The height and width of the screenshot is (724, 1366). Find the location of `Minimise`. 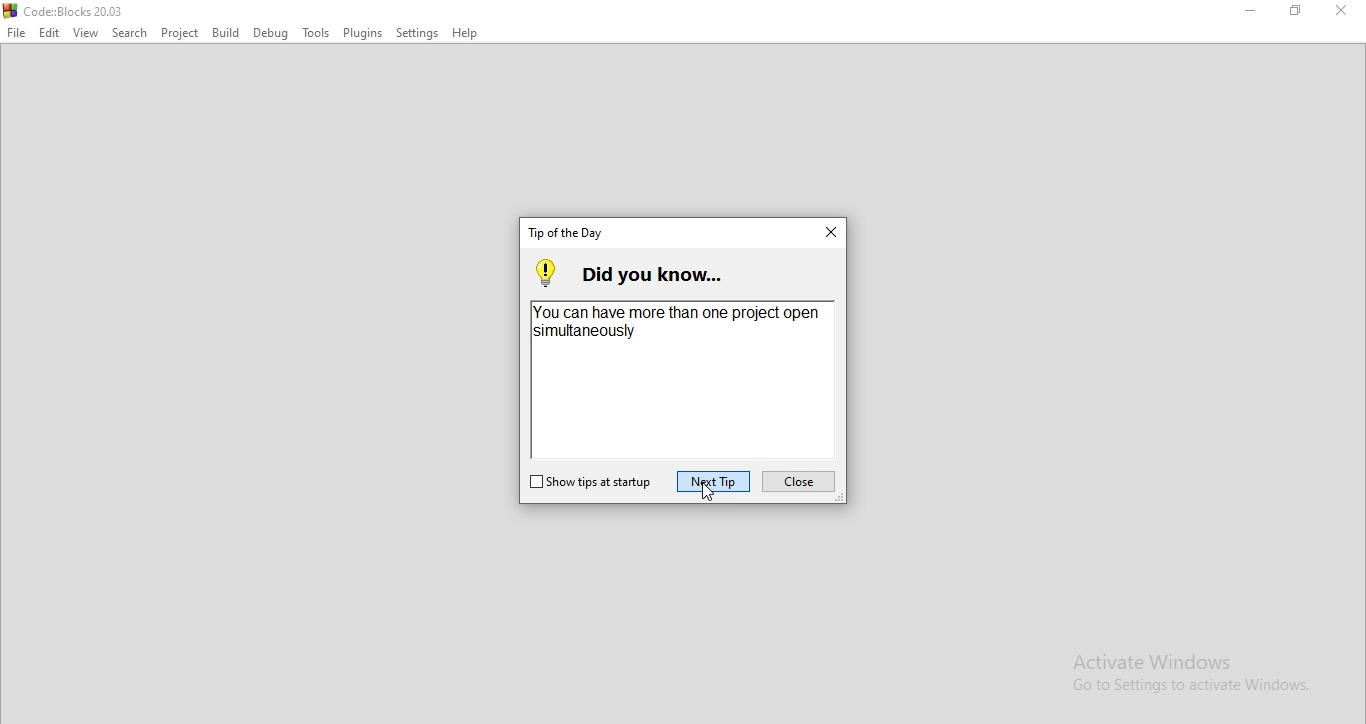

Minimise is located at coordinates (1248, 10).